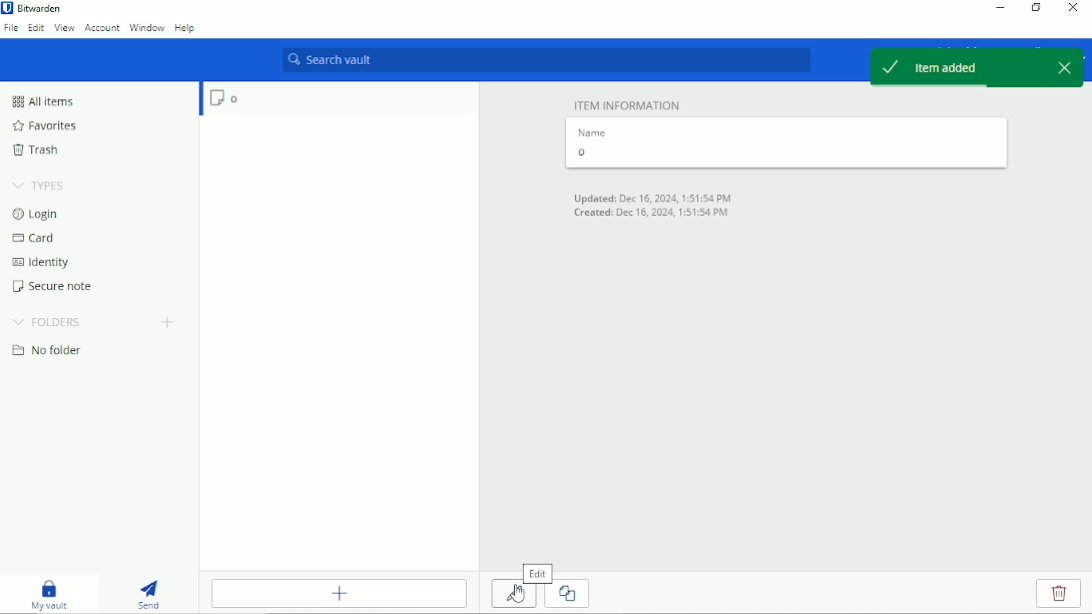 Image resolution: width=1092 pixels, height=614 pixels. Describe the element at coordinates (1067, 65) in the screenshot. I see `close notification` at that location.